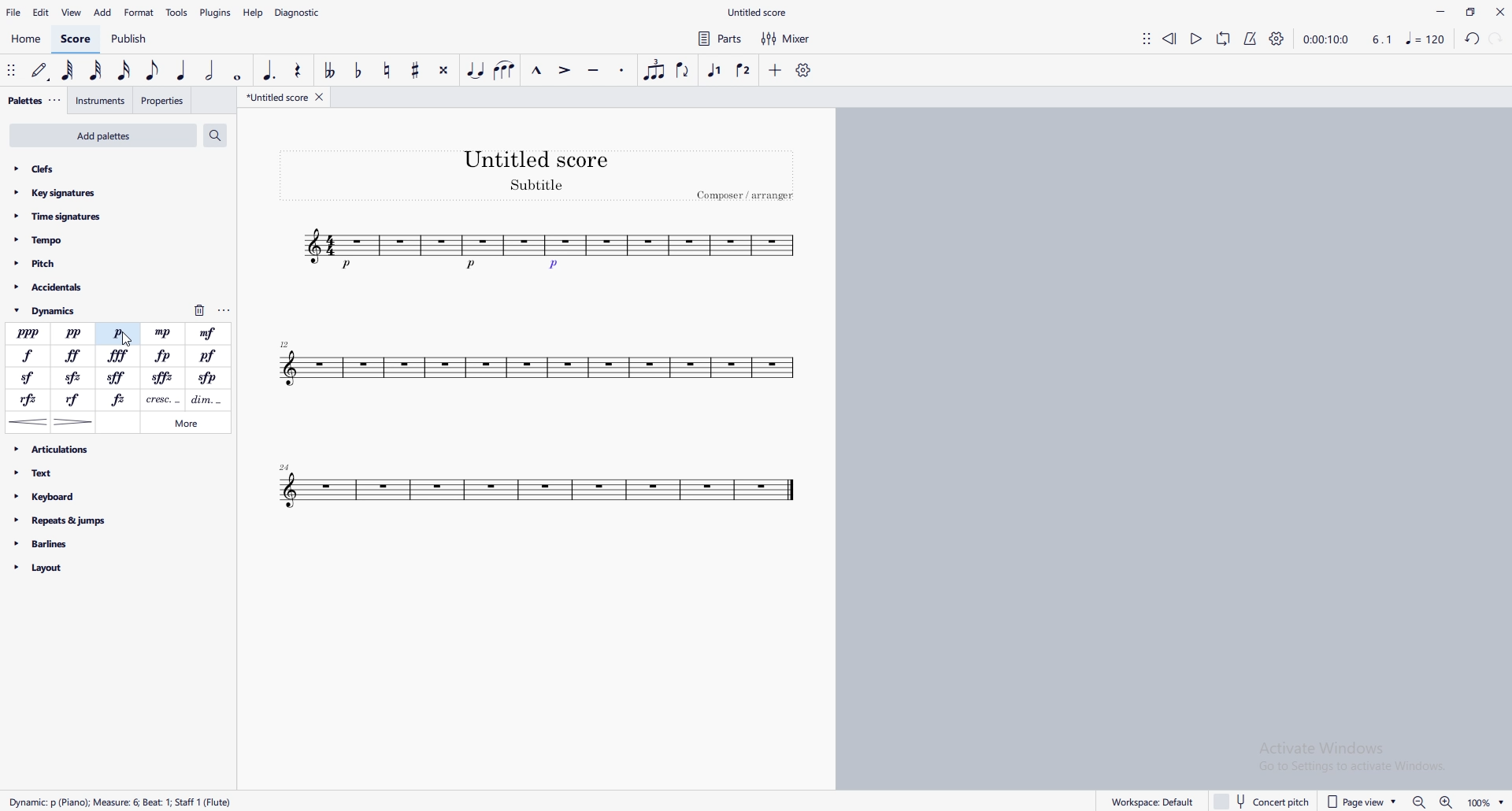 The height and width of the screenshot is (811, 1512). Describe the element at coordinates (41, 72) in the screenshot. I see `default (step time)` at that location.